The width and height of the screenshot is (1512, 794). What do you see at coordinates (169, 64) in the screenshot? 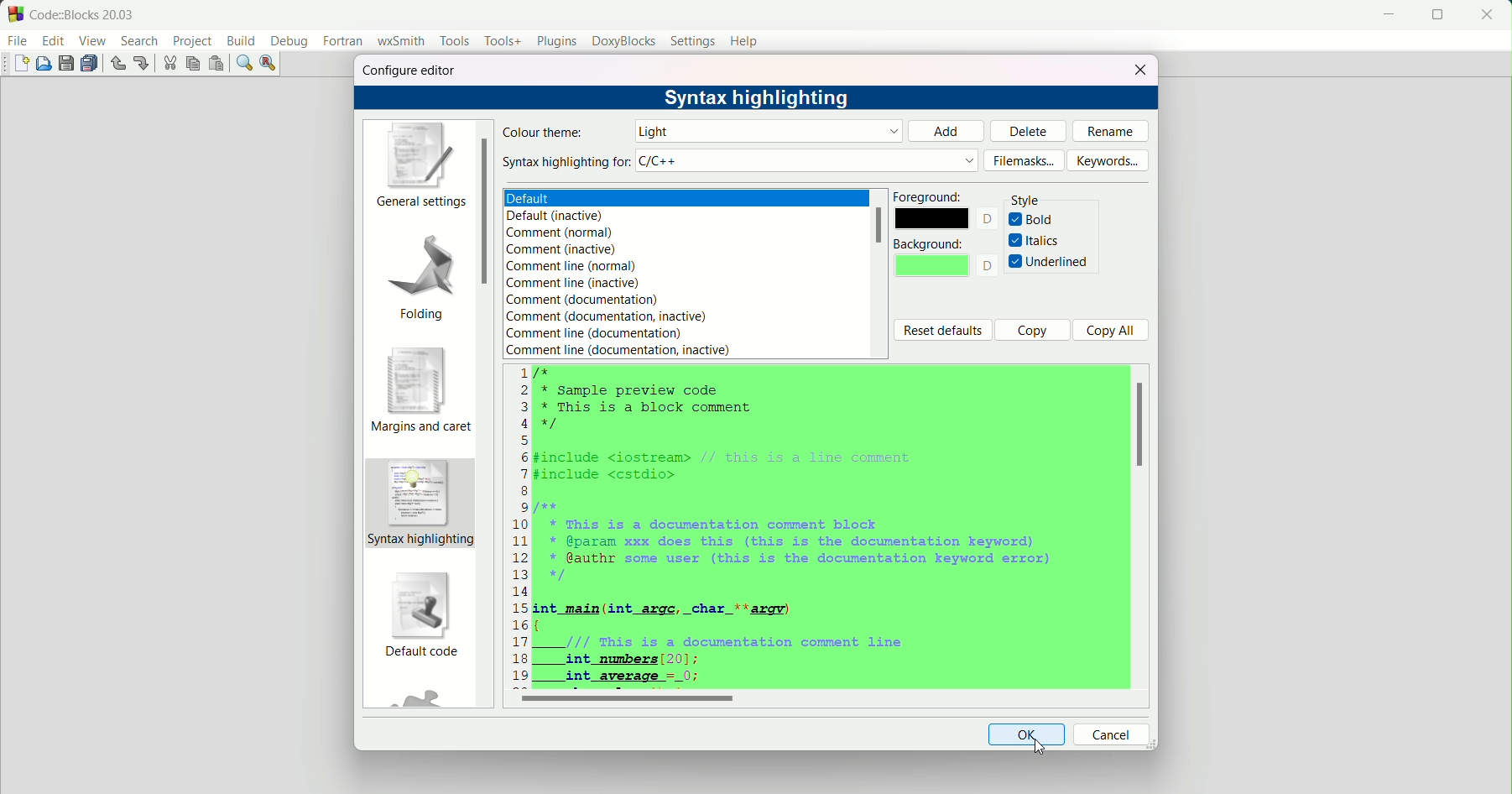
I see `cut` at bounding box center [169, 64].